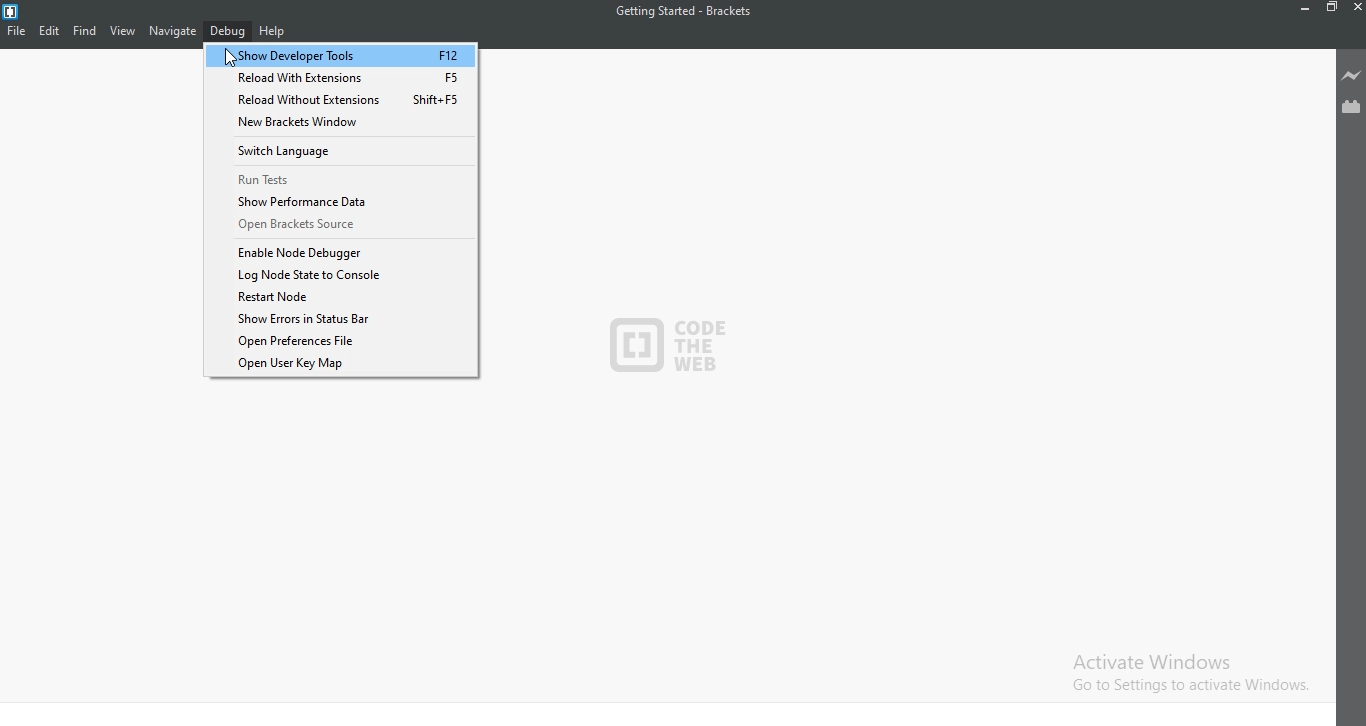 This screenshot has height=726, width=1366. Describe the element at coordinates (228, 31) in the screenshot. I see `Debug` at that location.